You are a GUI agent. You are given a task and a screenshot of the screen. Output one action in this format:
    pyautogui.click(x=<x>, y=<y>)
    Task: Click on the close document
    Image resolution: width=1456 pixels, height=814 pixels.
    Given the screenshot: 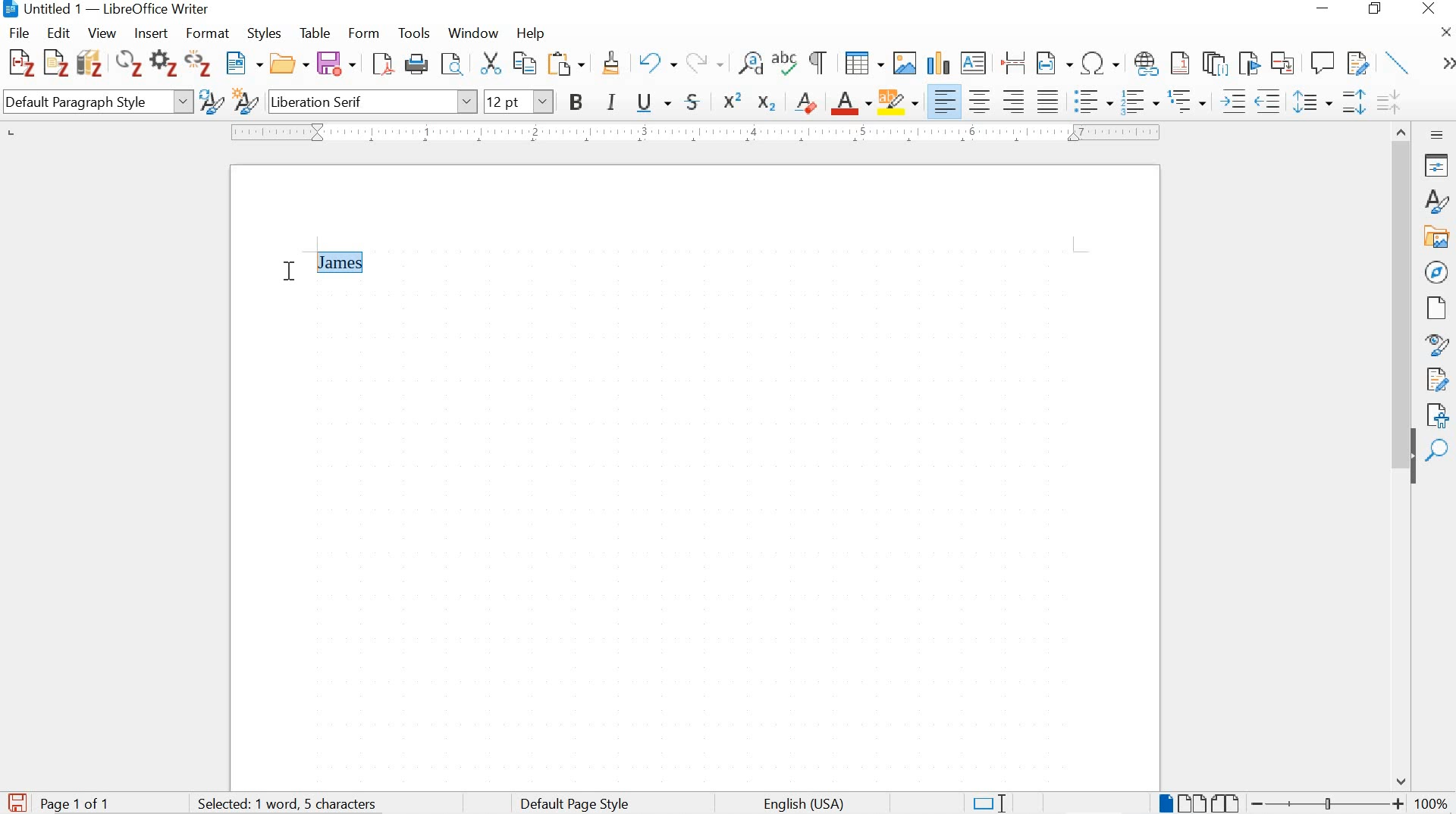 What is the action you would take?
    pyautogui.click(x=1446, y=31)
    